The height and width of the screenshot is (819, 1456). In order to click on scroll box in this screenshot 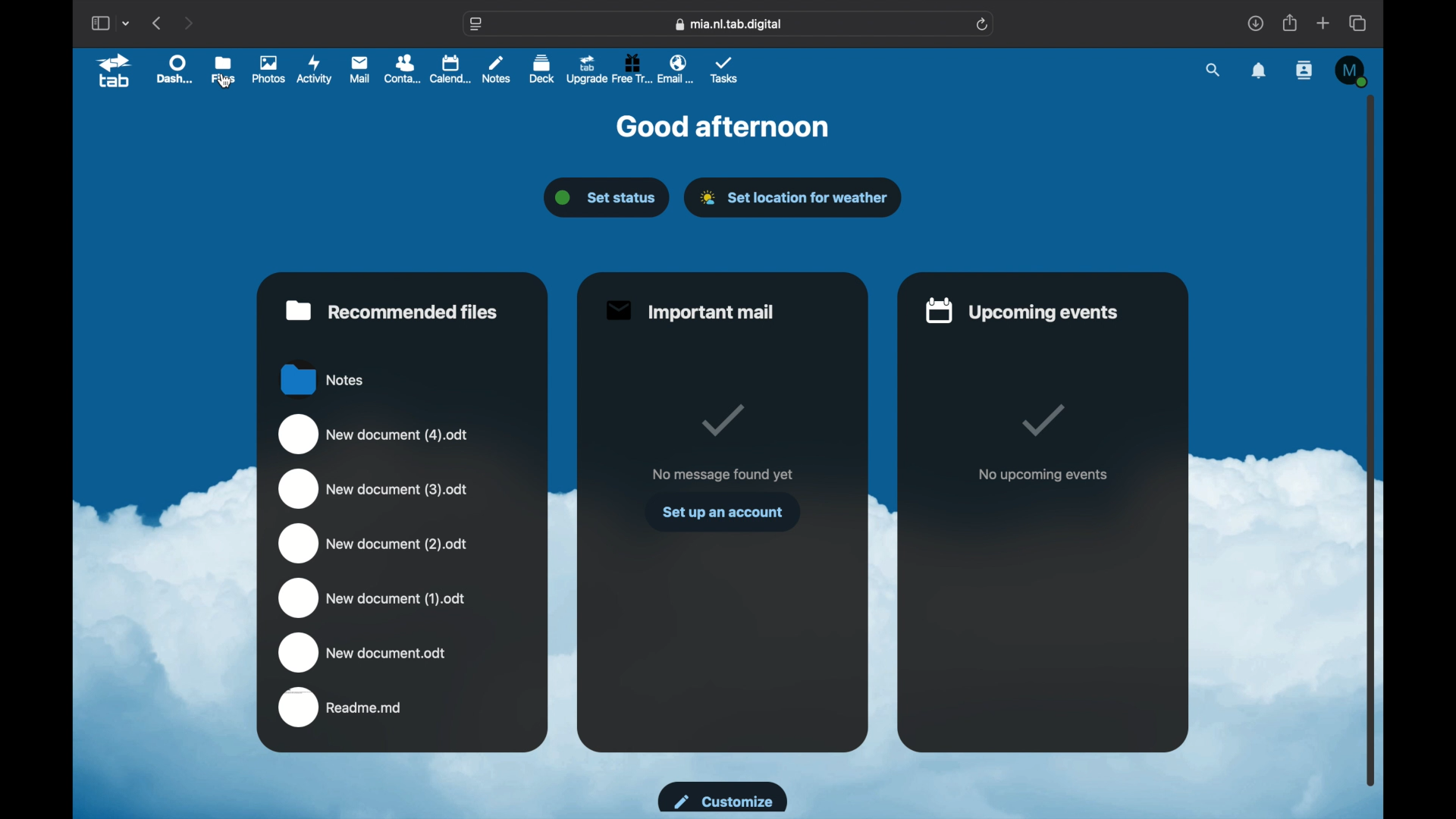, I will do `click(1371, 441)`.